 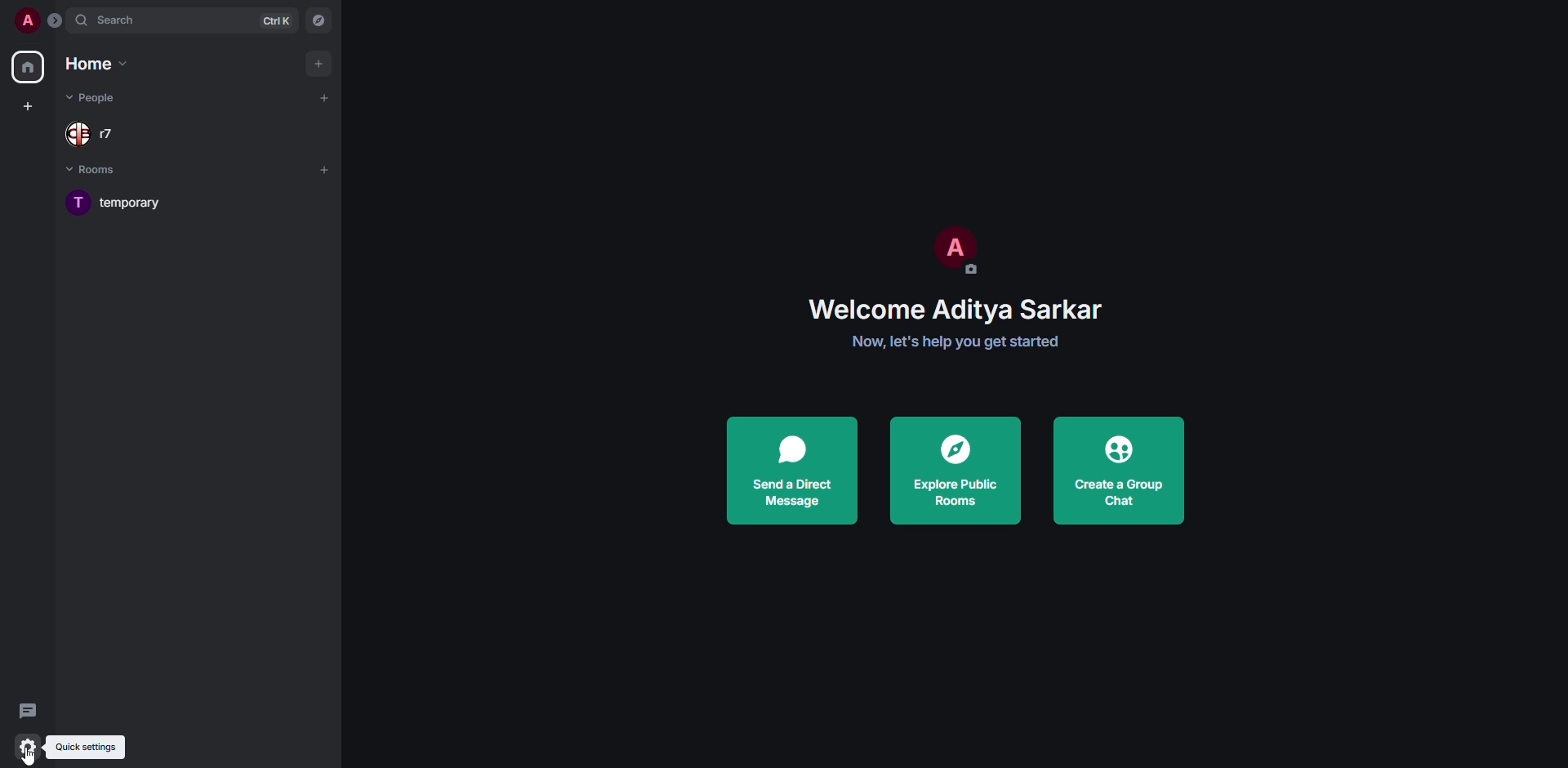 What do you see at coordinates (95, 98) in the screenshot?
I see `people` at bounding box center [95, 98].